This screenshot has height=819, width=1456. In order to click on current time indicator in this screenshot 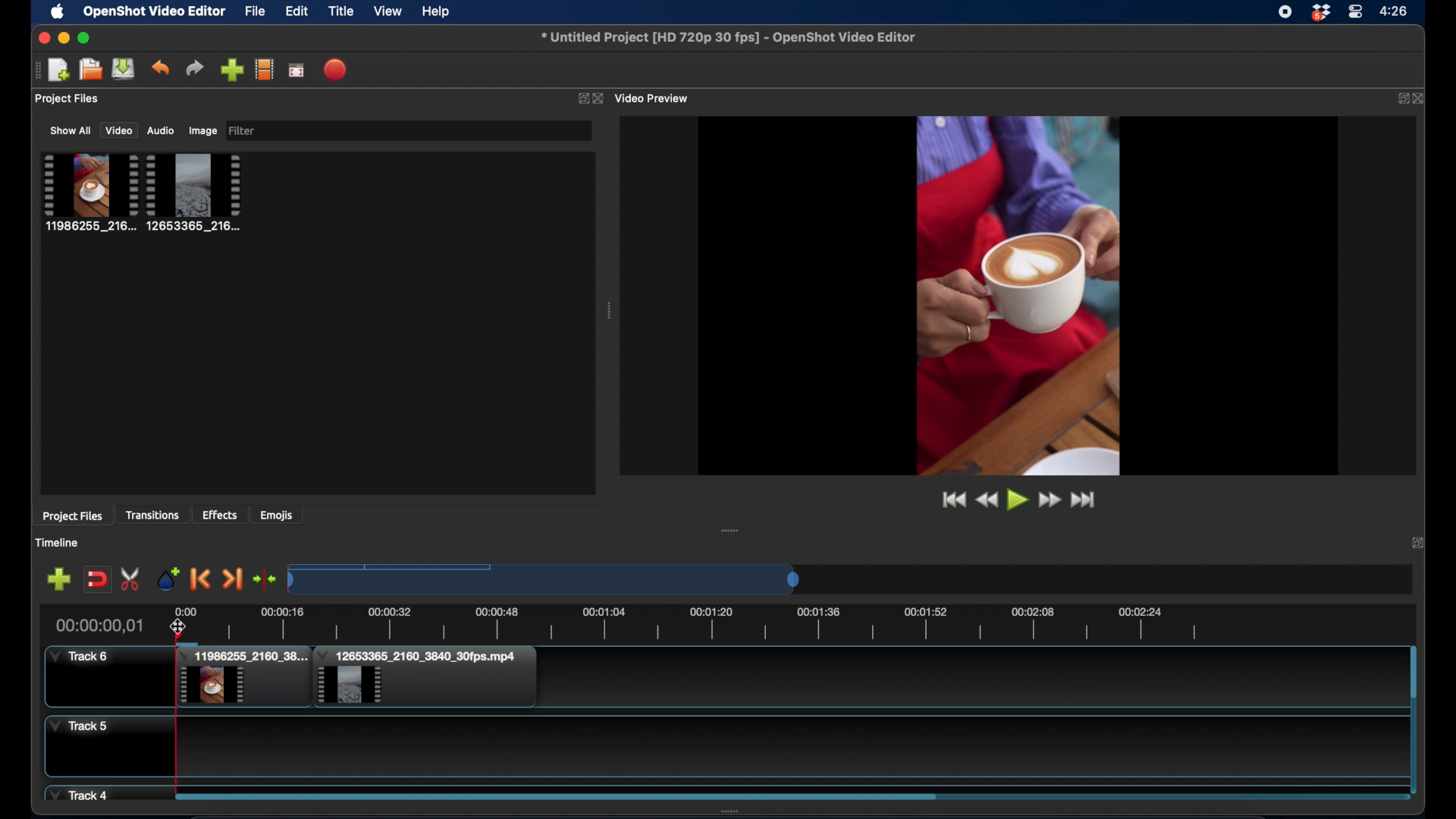, I will do `click(99, 625)`.